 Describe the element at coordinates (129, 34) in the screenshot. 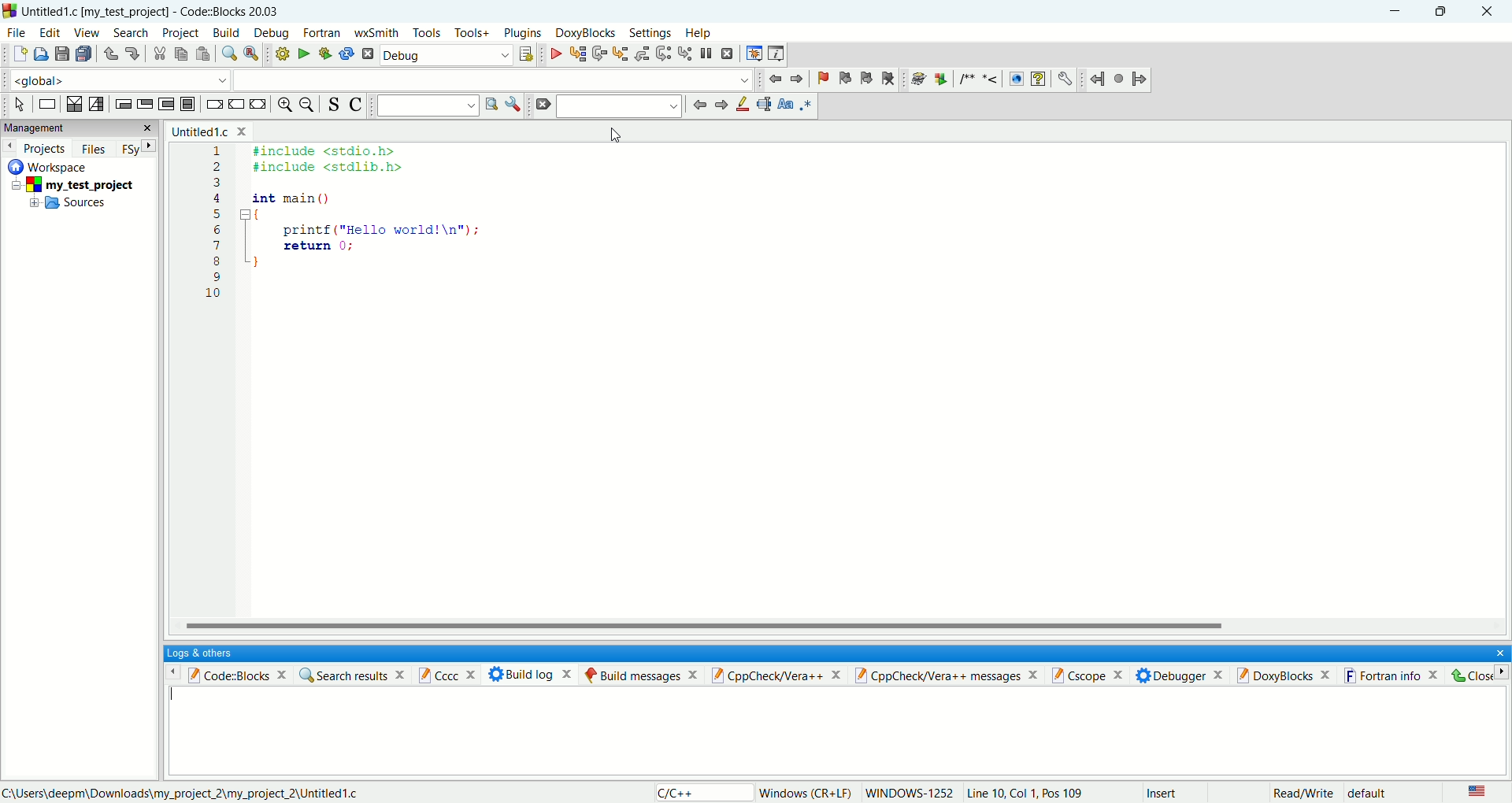

I see `search` at that location.